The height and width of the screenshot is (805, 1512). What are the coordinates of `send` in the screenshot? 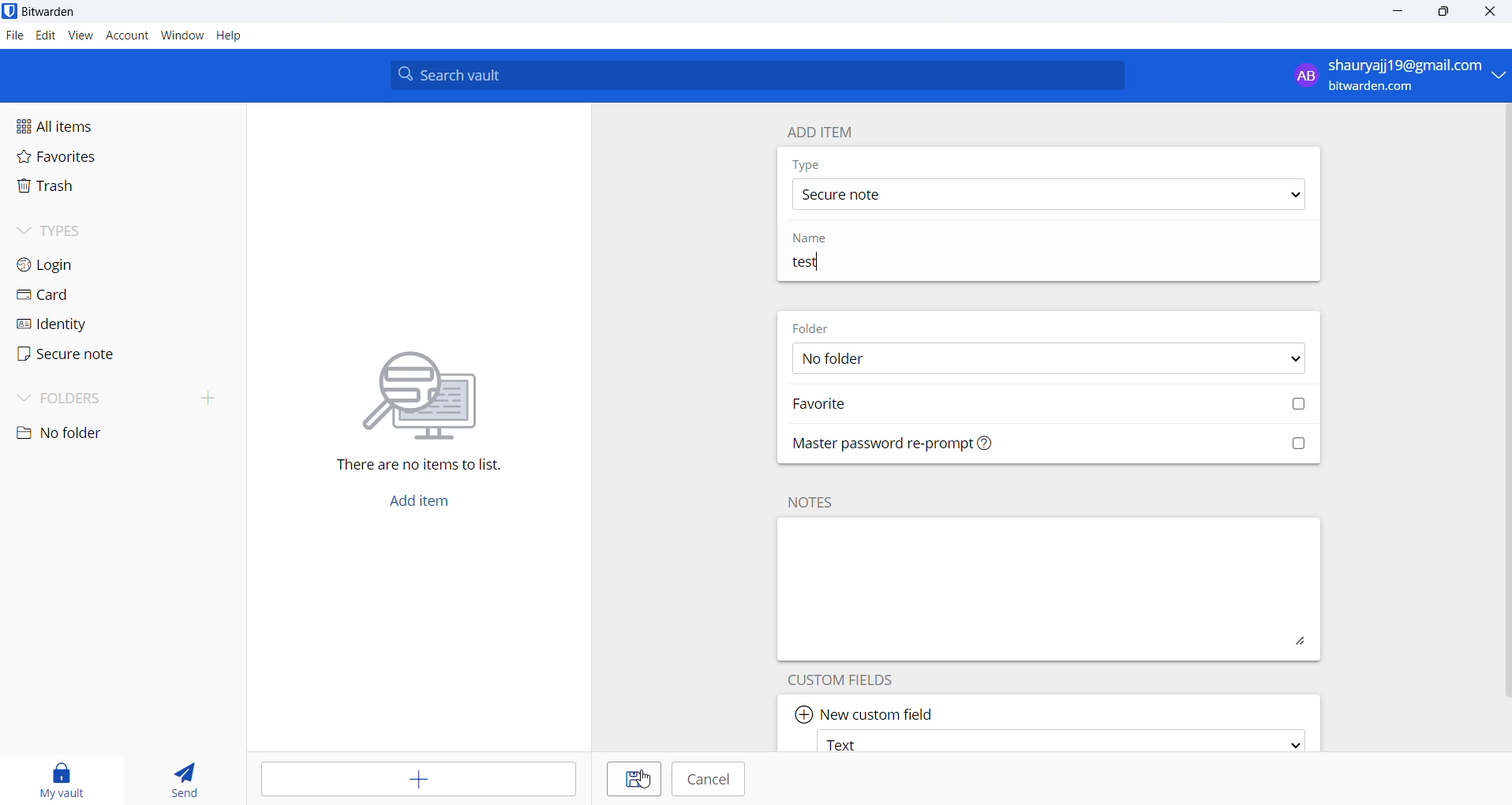 It's located at (183, 776).